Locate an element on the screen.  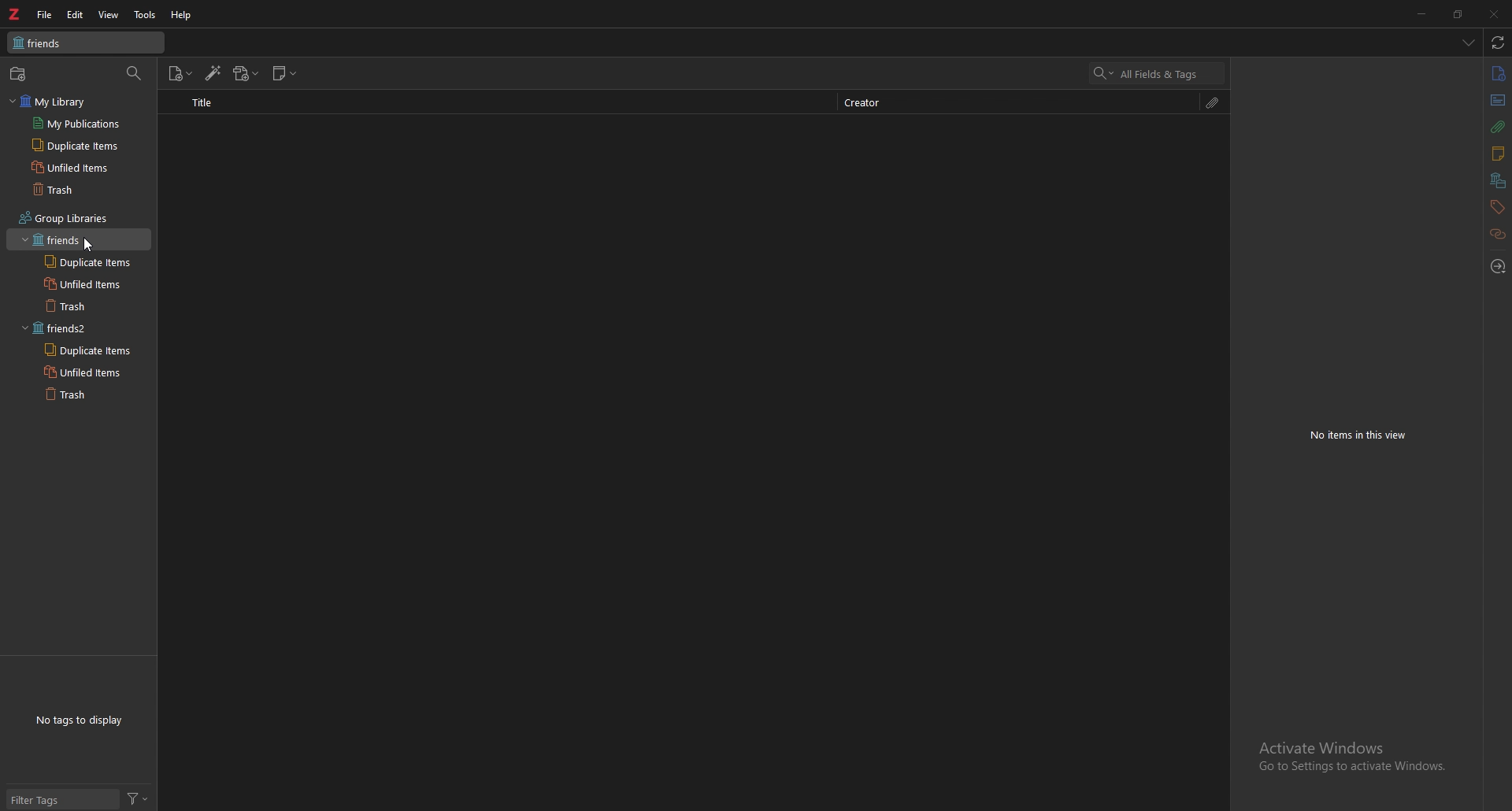
close is located at coordinates (1495, 13).